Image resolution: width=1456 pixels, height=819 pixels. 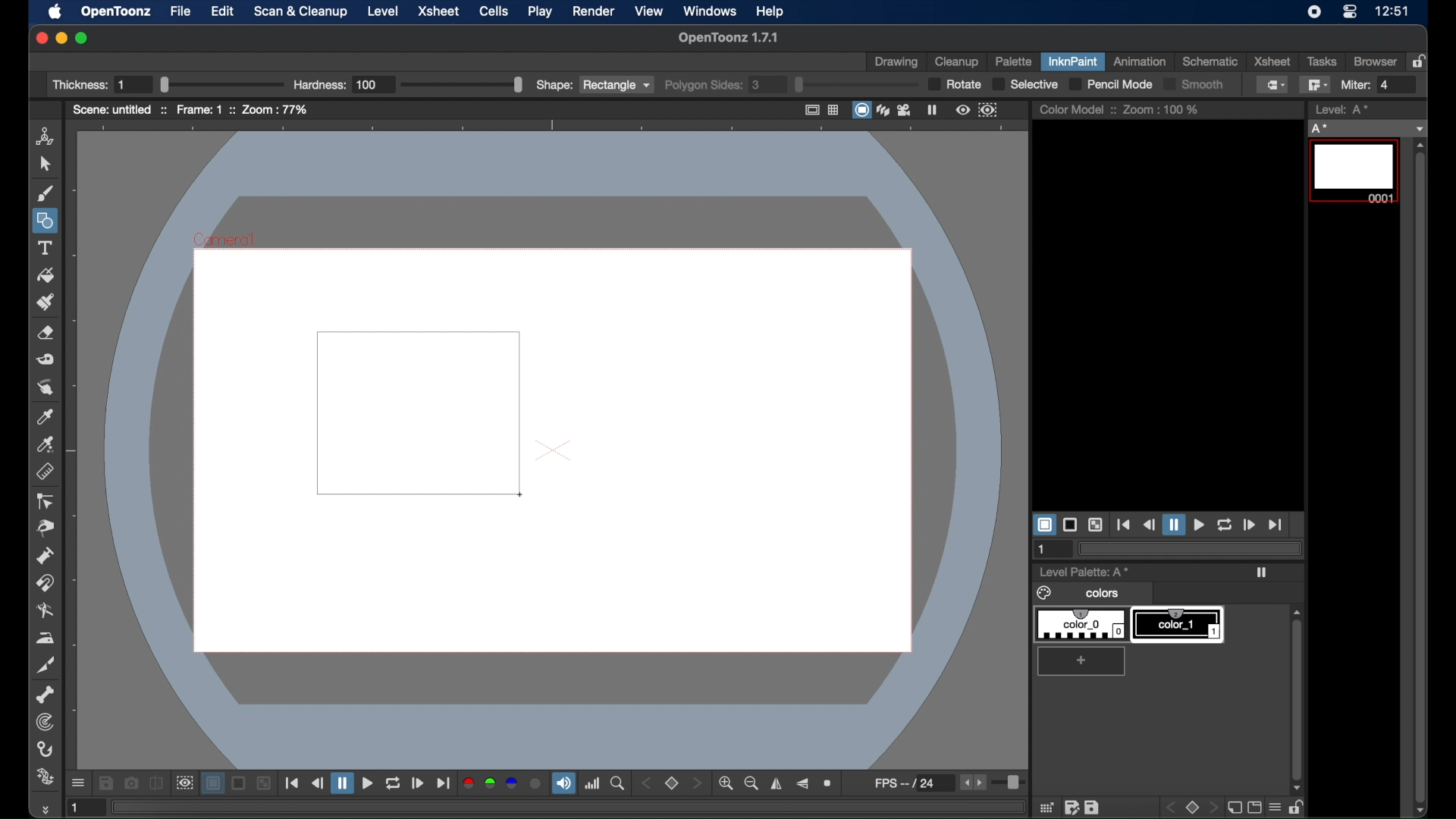 I want to click on edit, so click(x=1072, y=807).